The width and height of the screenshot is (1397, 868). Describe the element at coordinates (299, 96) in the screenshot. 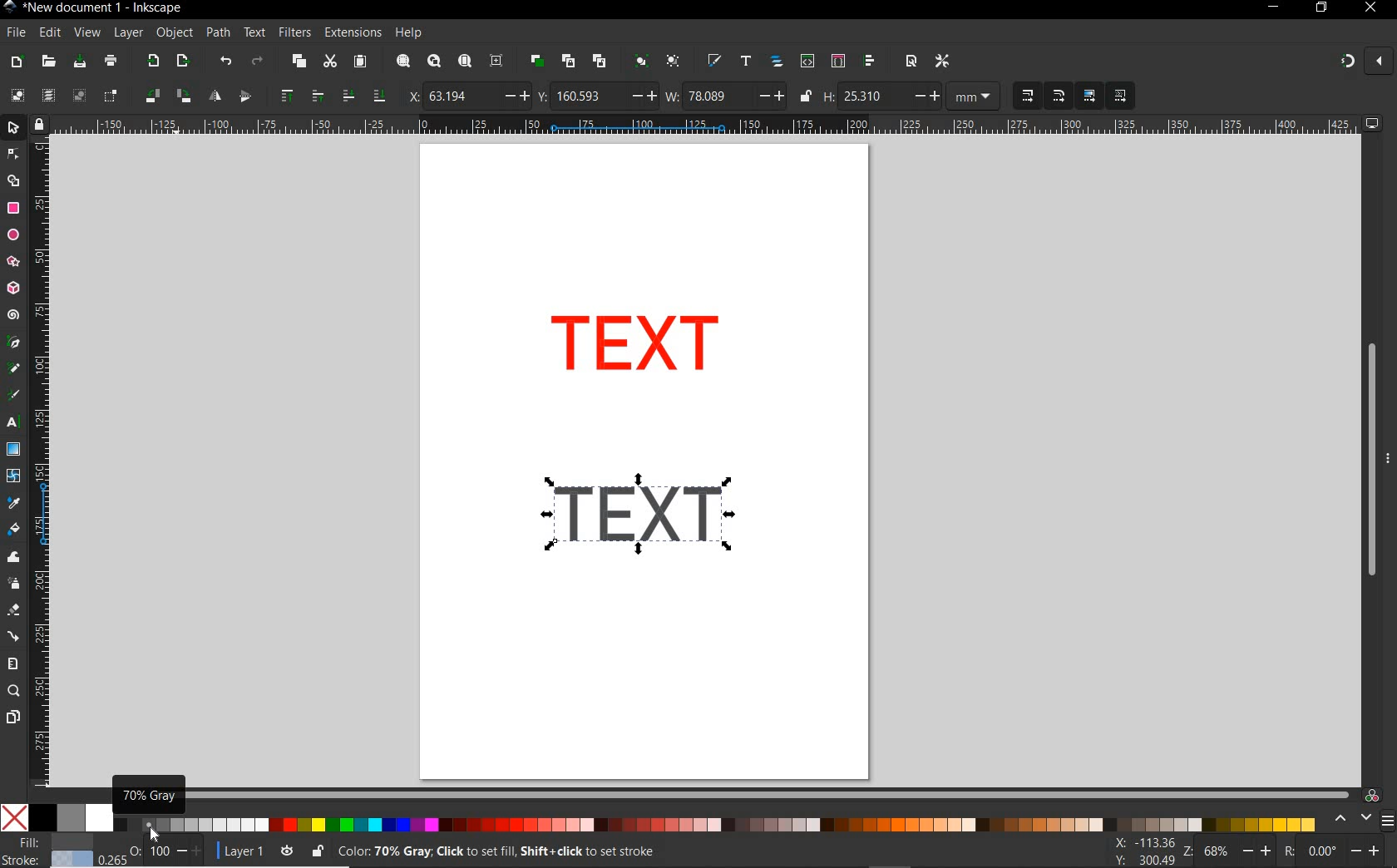

I see `raise selection` at that location.